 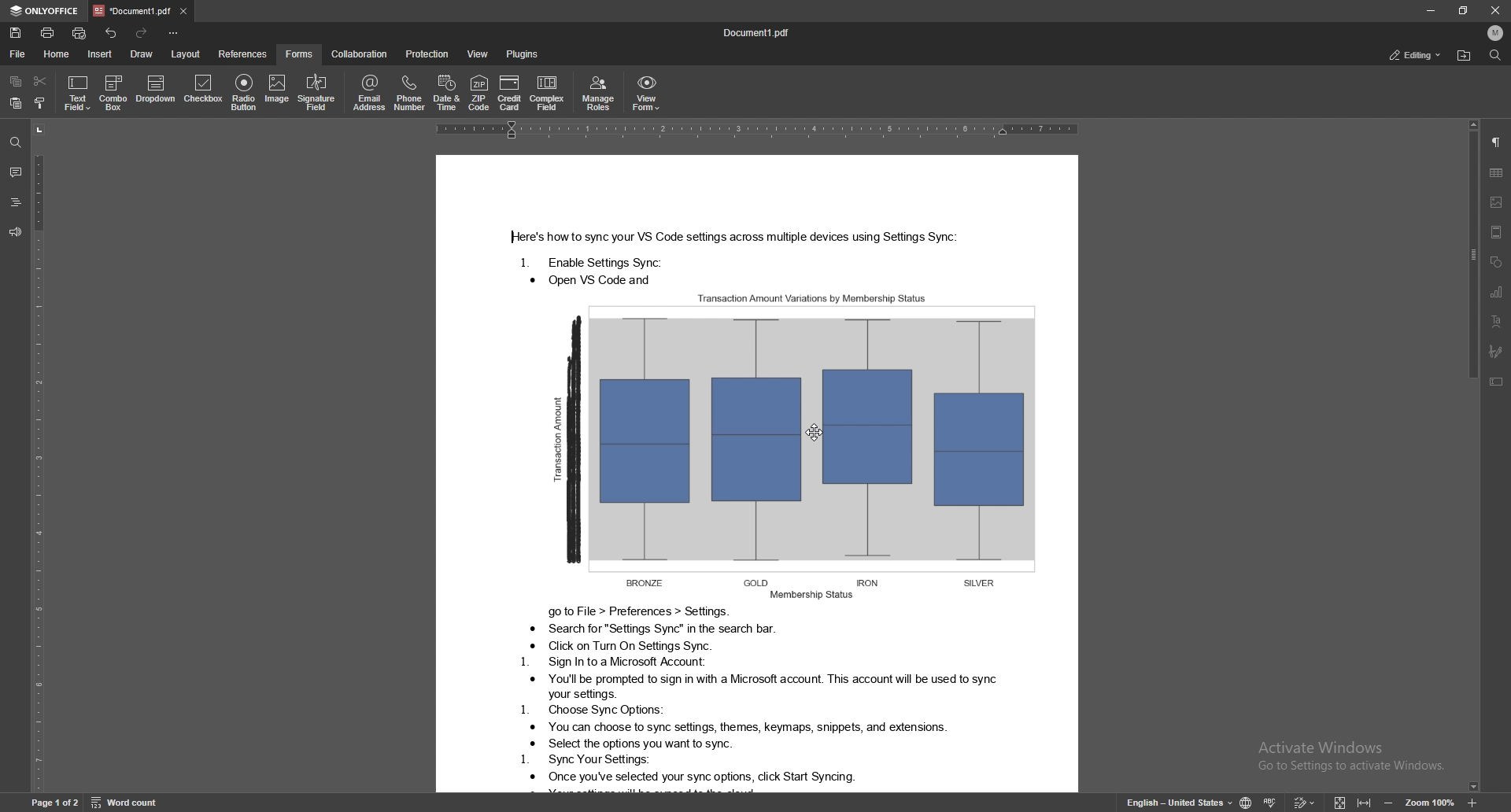 What do you see at coordinates (16, 143) in the screenshot?
I see `find` at bounding box center [16, 143].